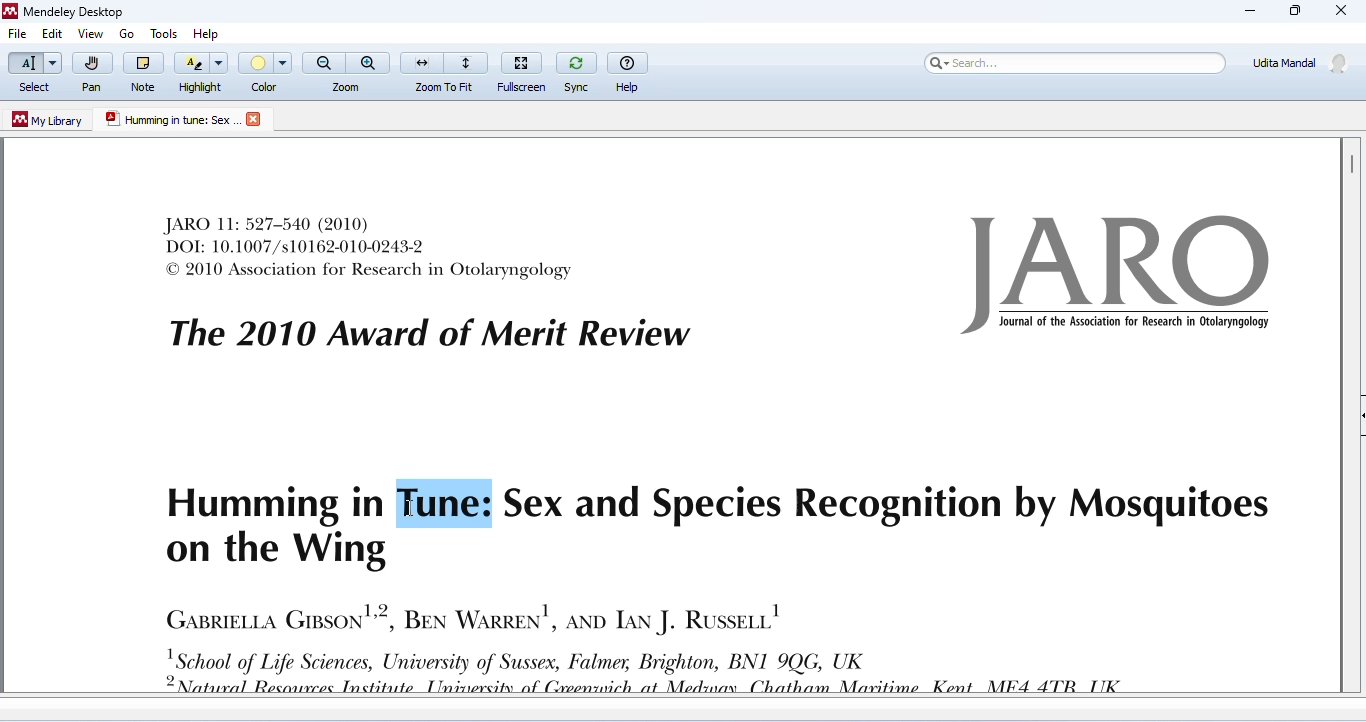 Image resolution: width=1366 pixels, height=722 pixels. I want to click on The 2010 Award of Merit Review, so click(429, 334).